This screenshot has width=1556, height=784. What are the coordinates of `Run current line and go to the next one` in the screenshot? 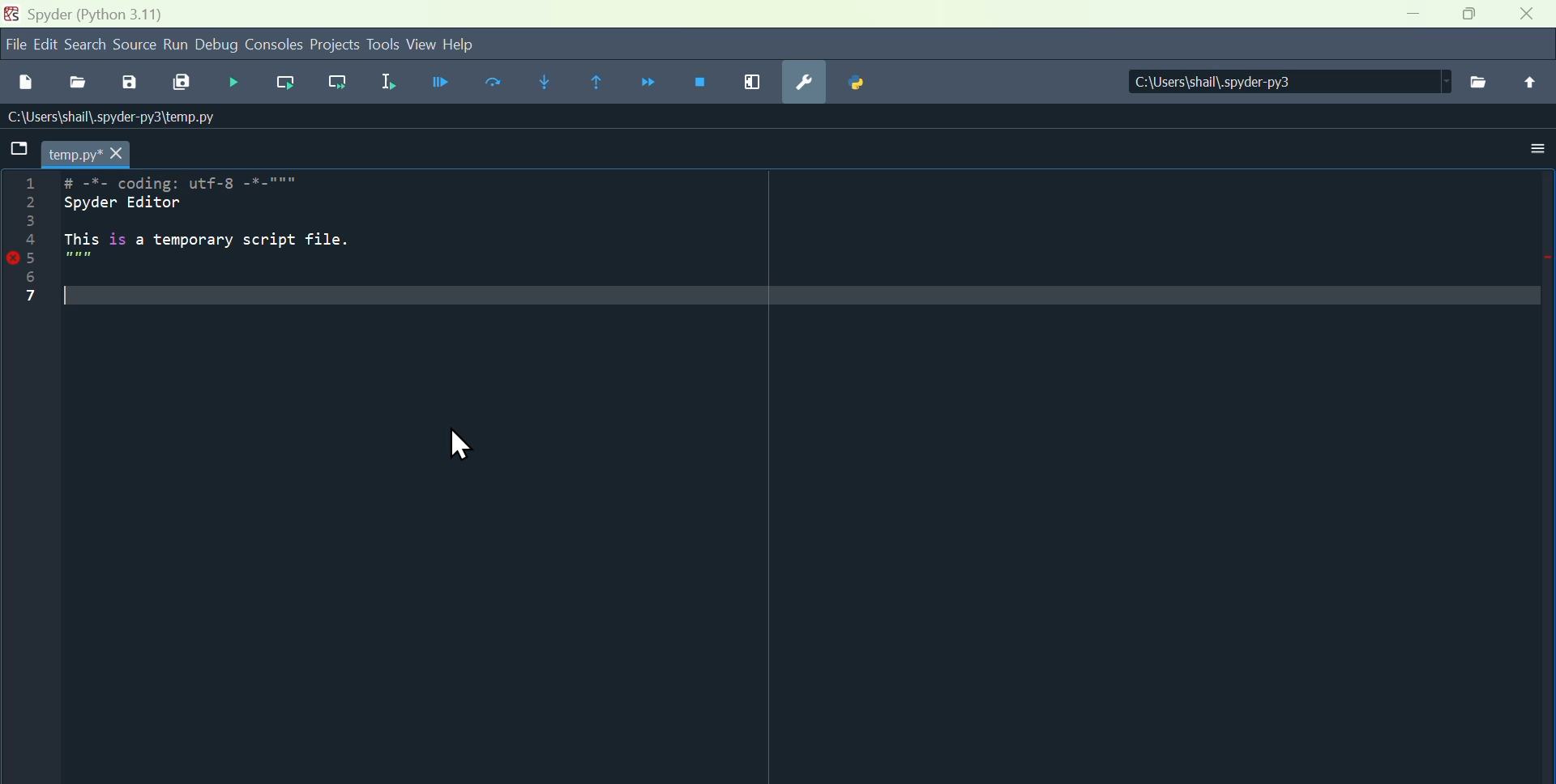 It's located at (336, 83).